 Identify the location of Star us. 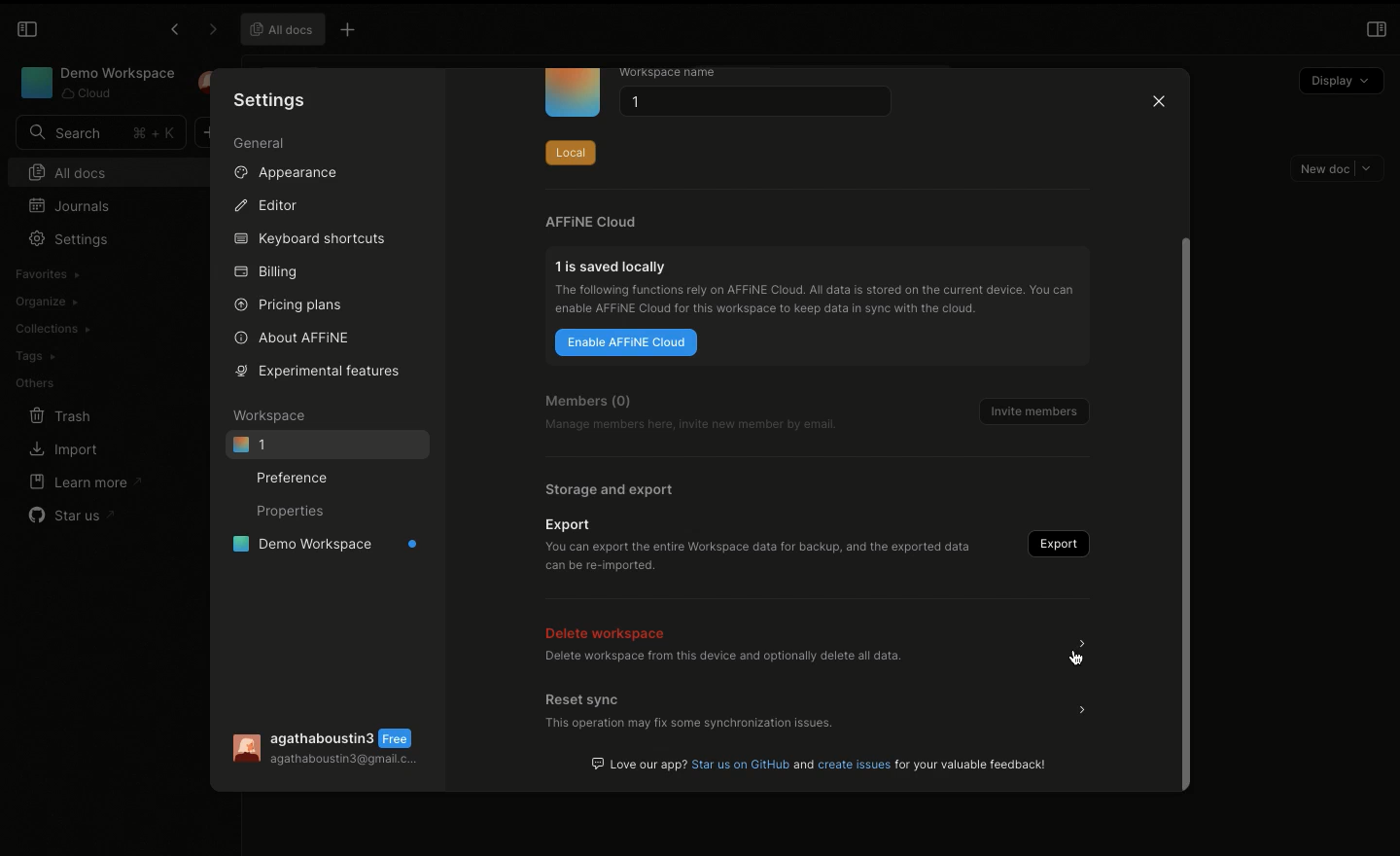
(70, 512).